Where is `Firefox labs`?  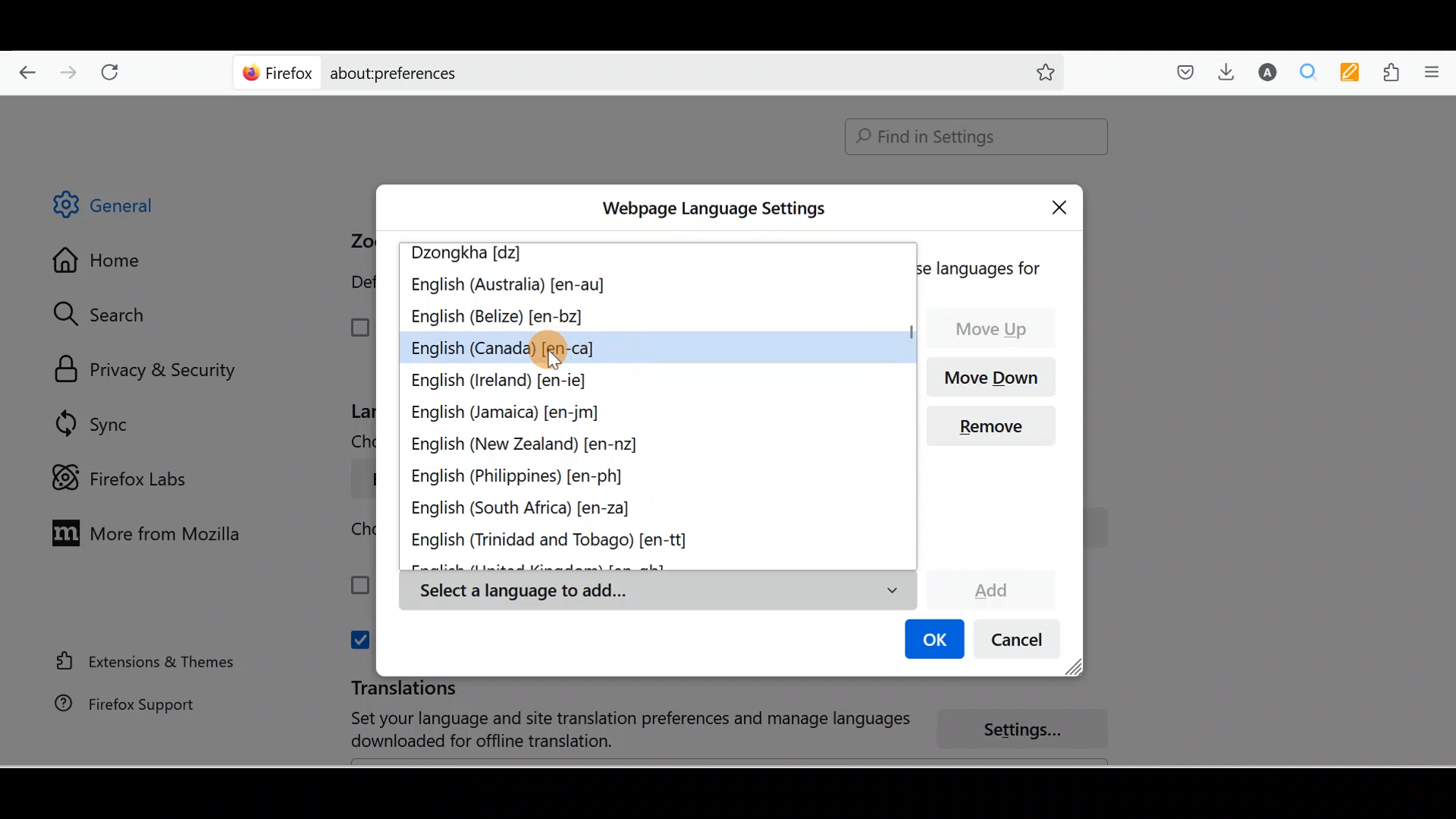 Firefox labs is located at coordinates (124, 479).